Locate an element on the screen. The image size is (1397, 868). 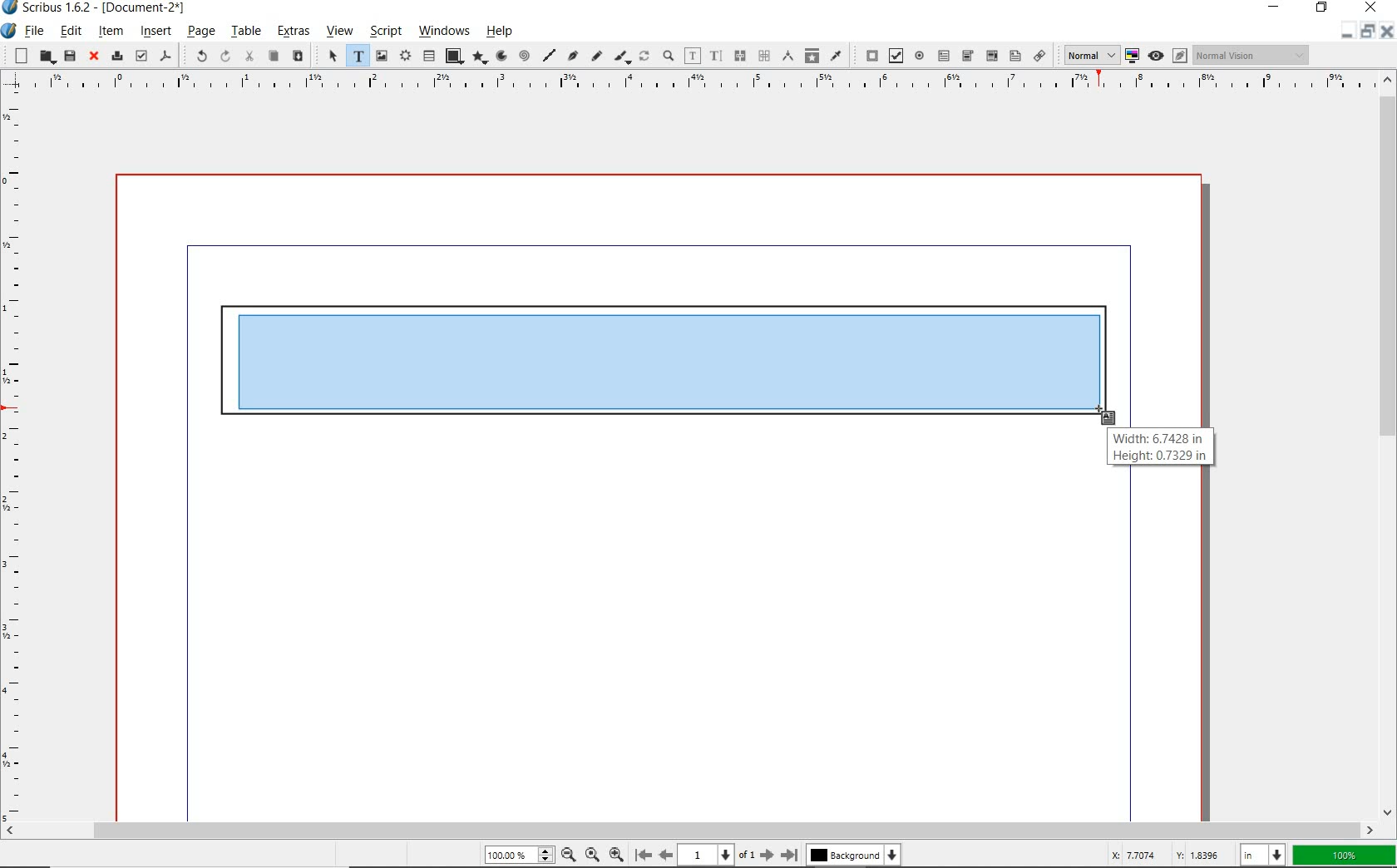
zoom in is located at coordinates (568, 854).